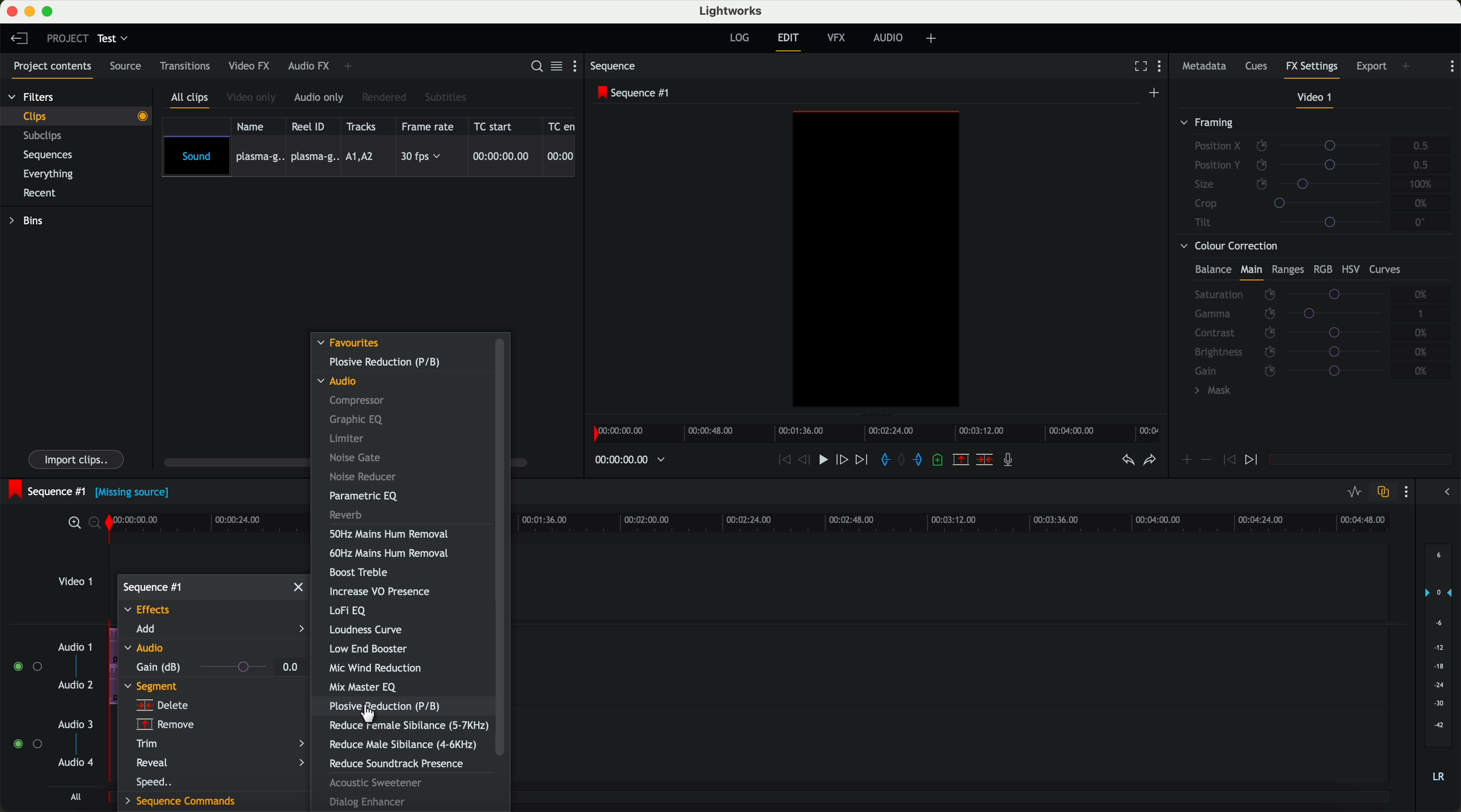 The image size is (1461, 812). Describe the element at coordinates (1443, 493) in the screenshot. I see `arrow` at that location.